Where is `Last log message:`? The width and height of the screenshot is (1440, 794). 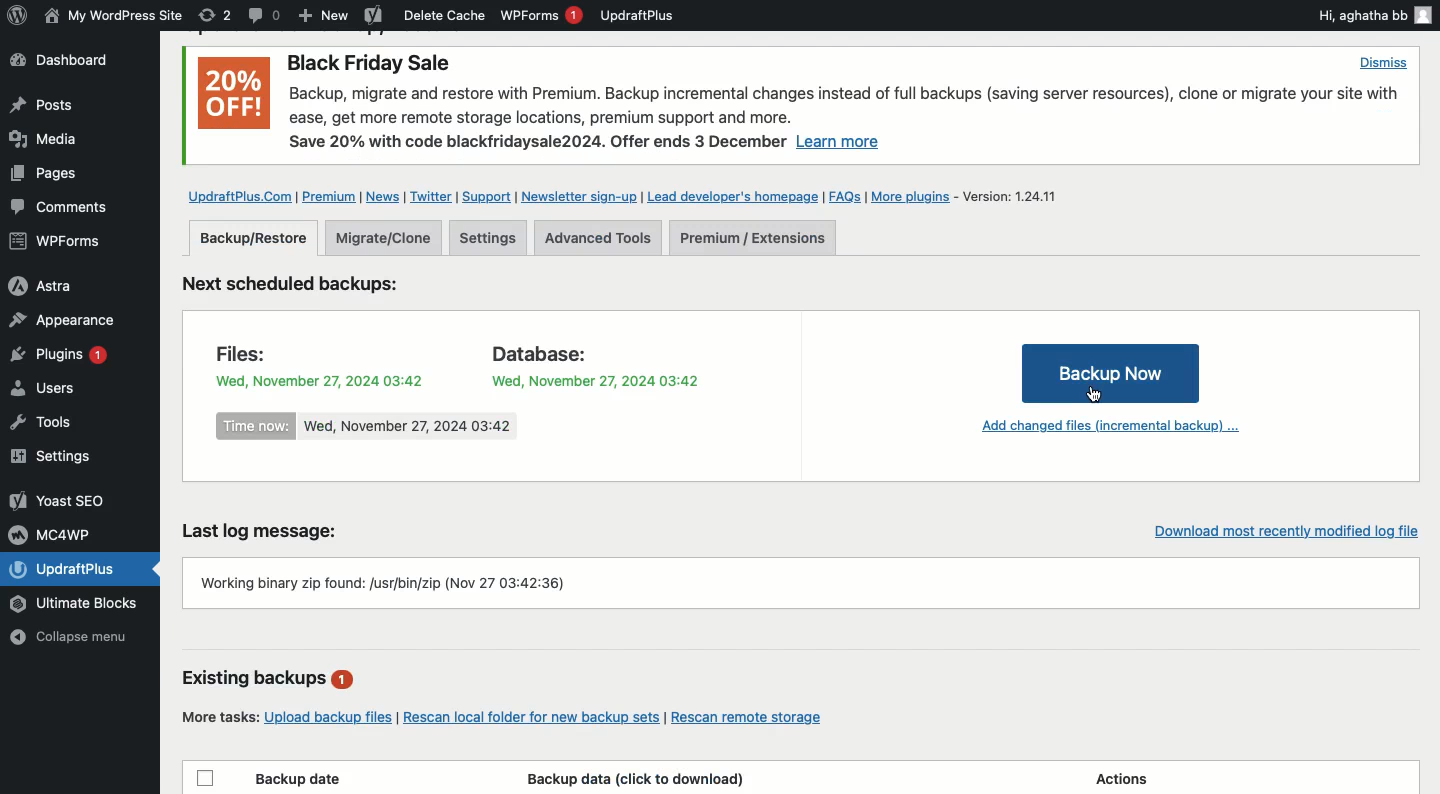
Last log message: is located at coordinates (274, 528).